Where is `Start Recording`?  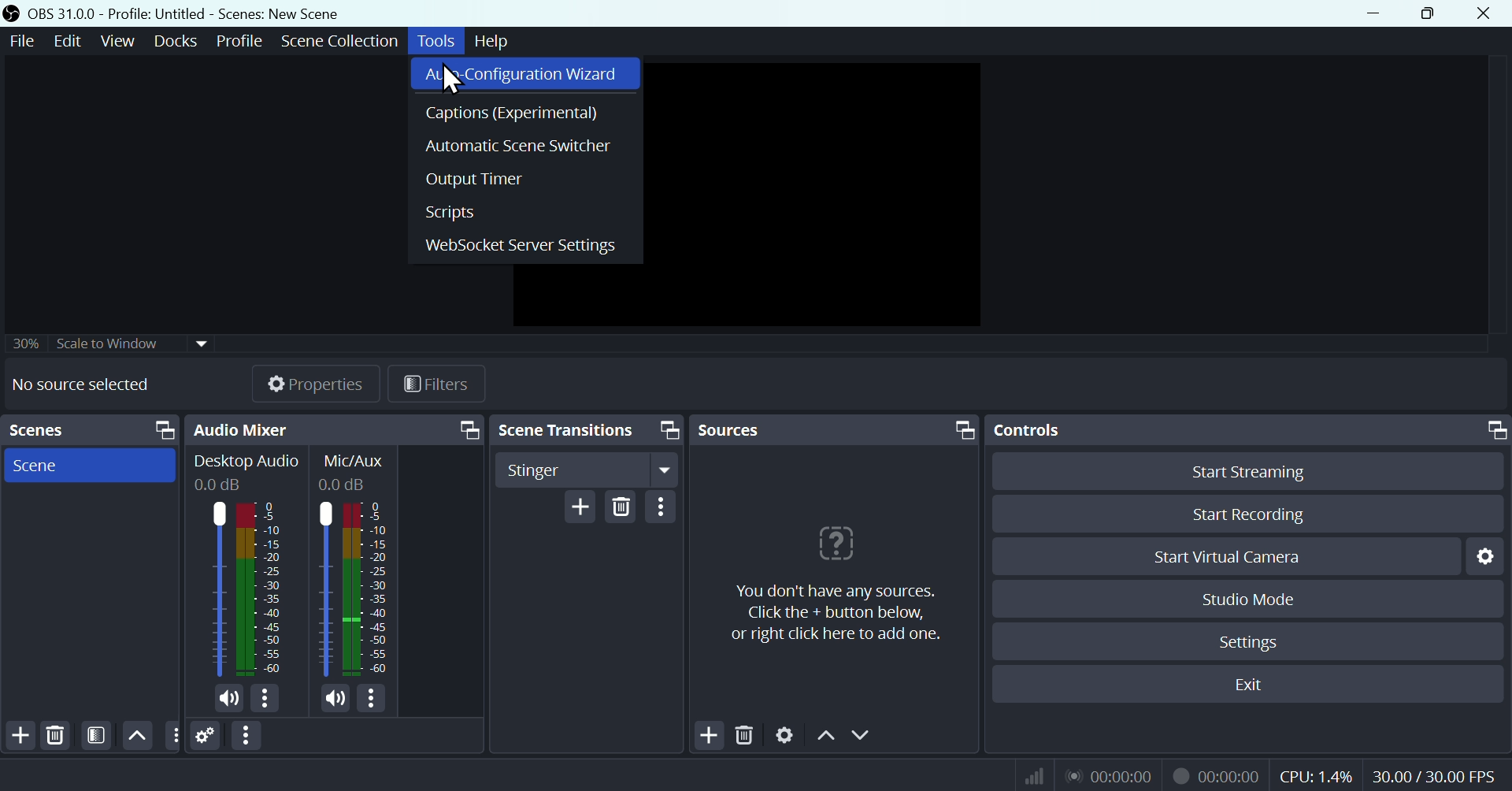 Start Recording is located at coordinates (1247, 514).